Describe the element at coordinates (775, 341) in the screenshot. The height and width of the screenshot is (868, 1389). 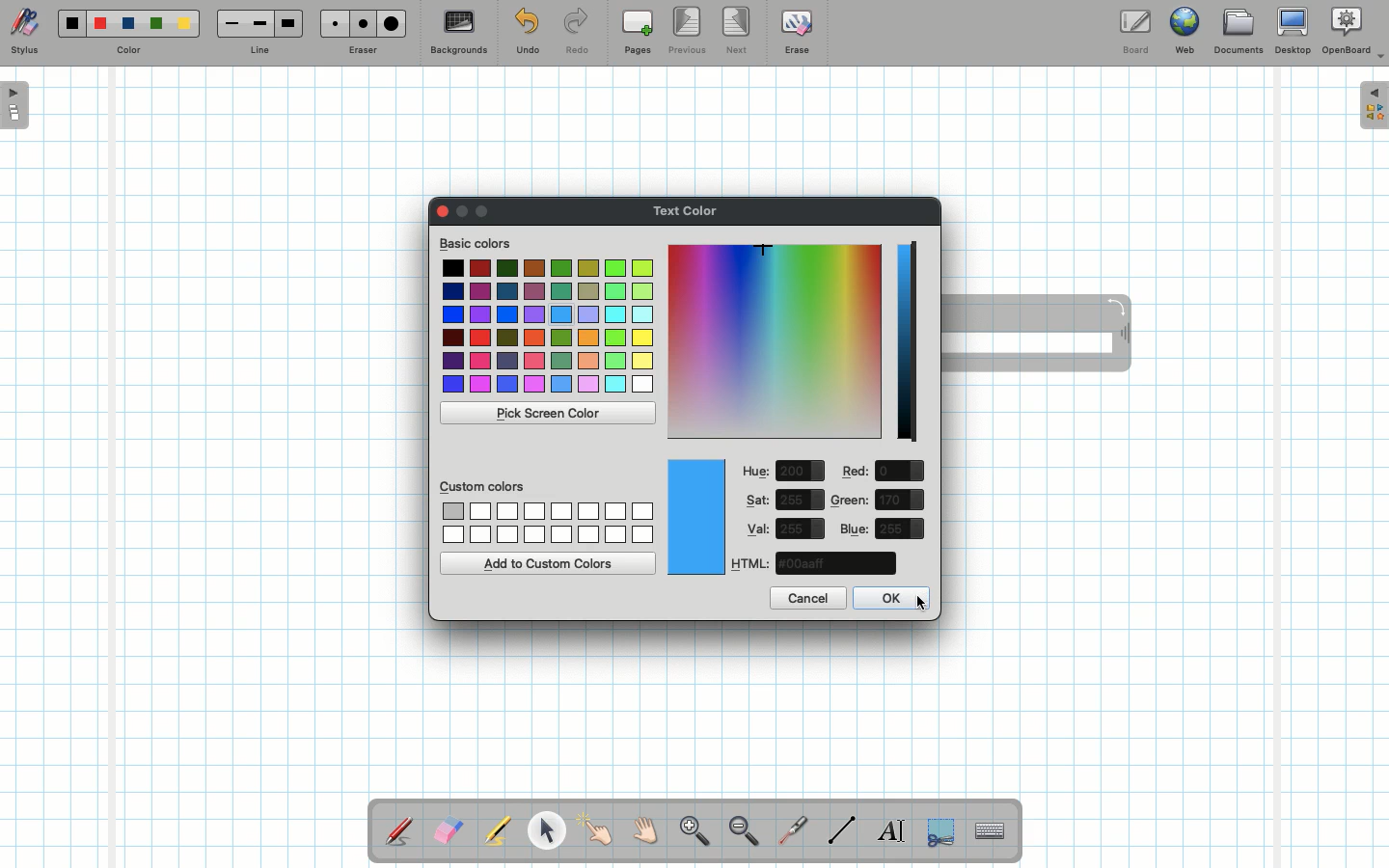
I see `Color picker` at that location.